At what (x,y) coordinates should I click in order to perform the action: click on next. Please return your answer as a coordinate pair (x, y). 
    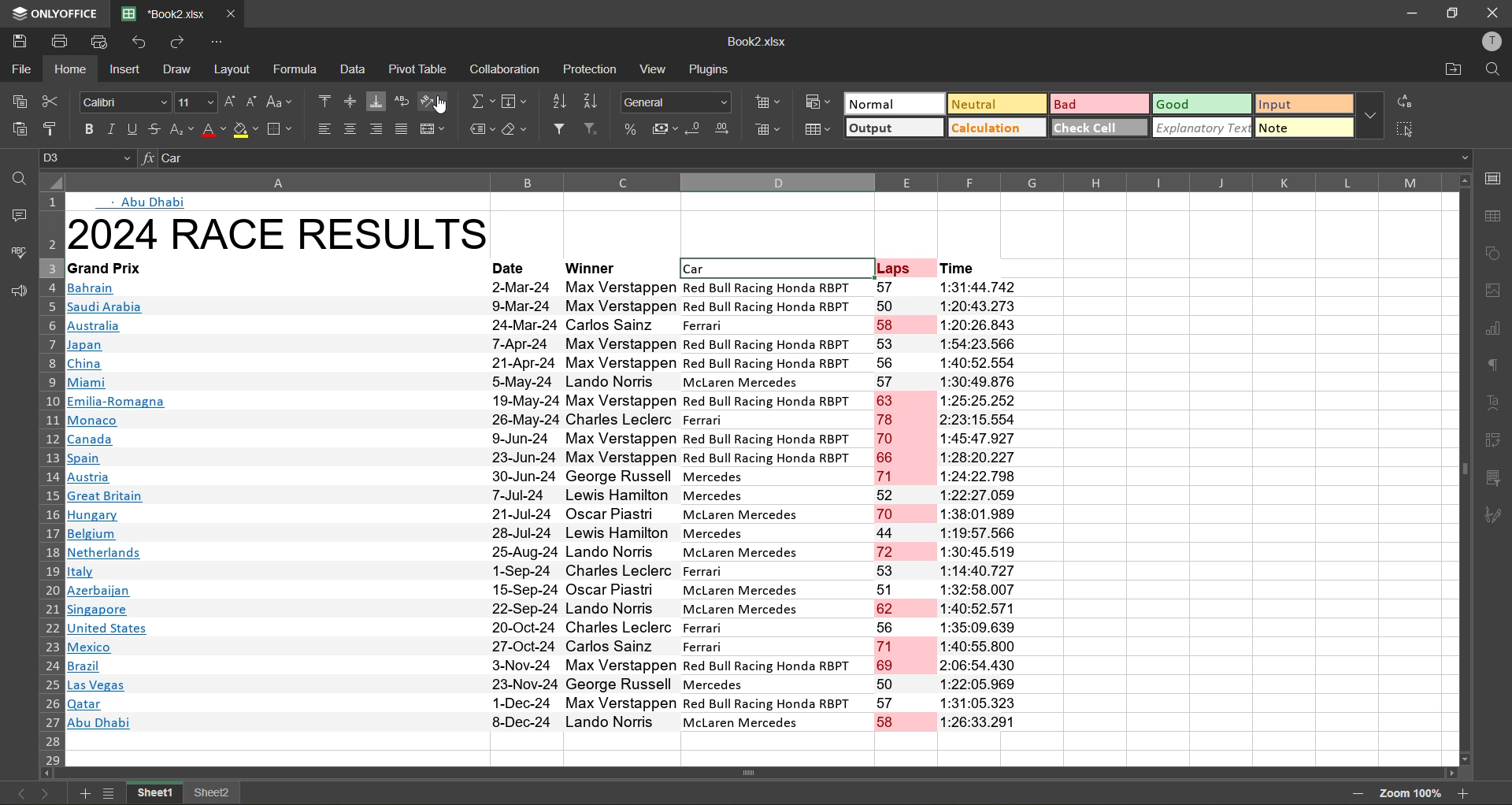
    Looking at the image, I should click on (48, 793).